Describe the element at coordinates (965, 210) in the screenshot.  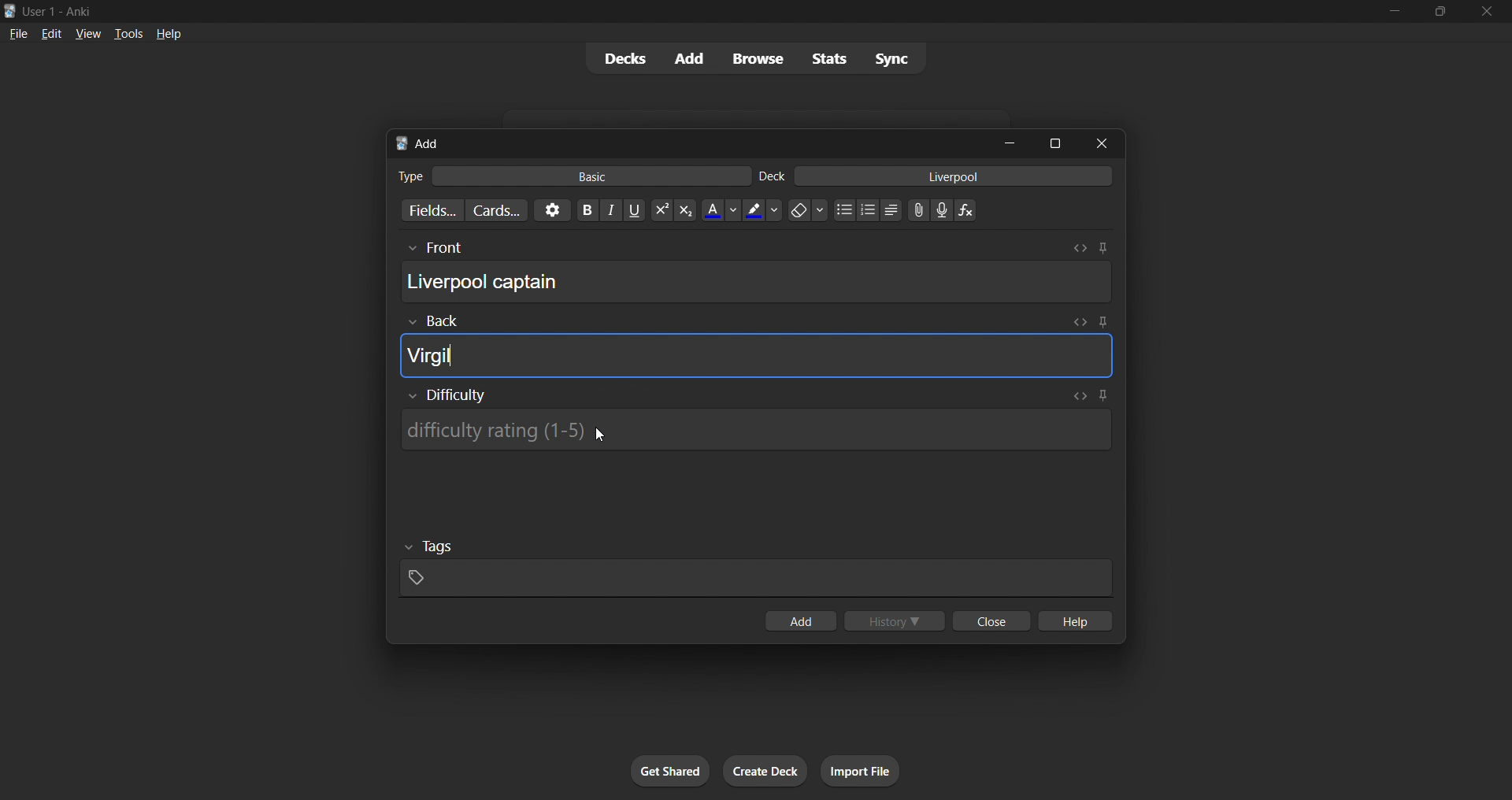
I see `Equation` at that location.